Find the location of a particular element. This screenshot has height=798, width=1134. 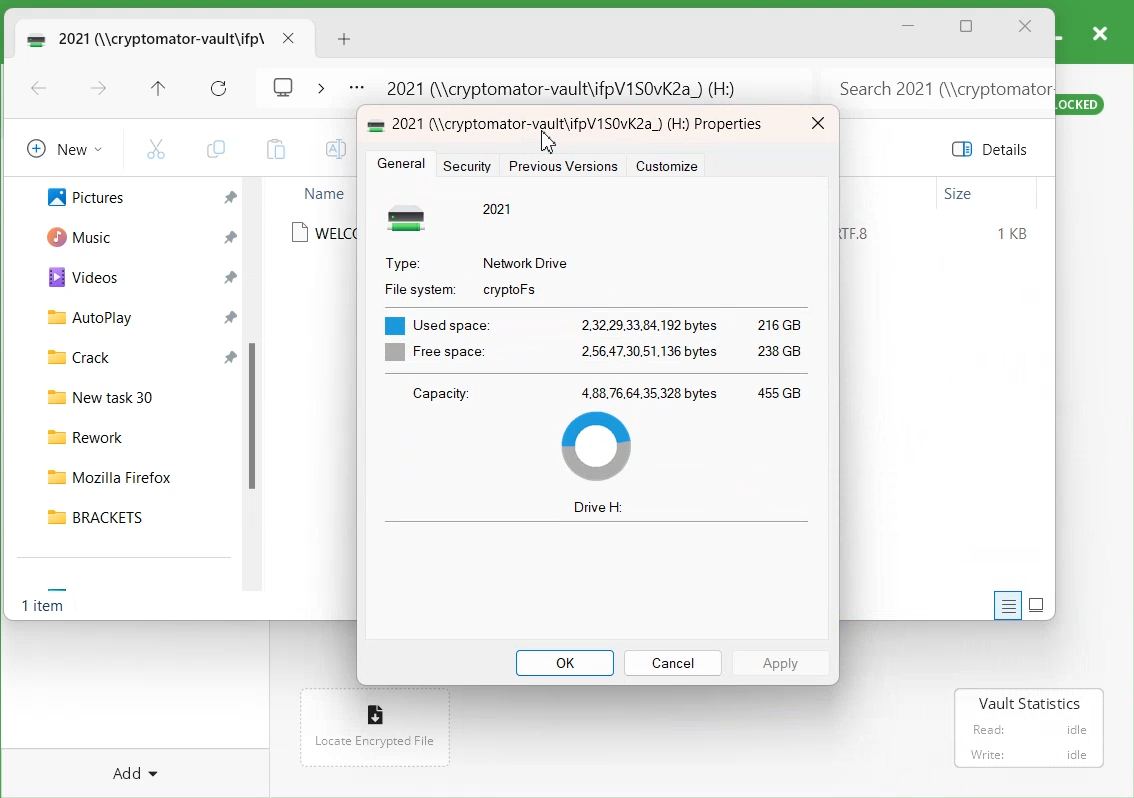

Welcome.rtf is located at coordinates (323, 233).